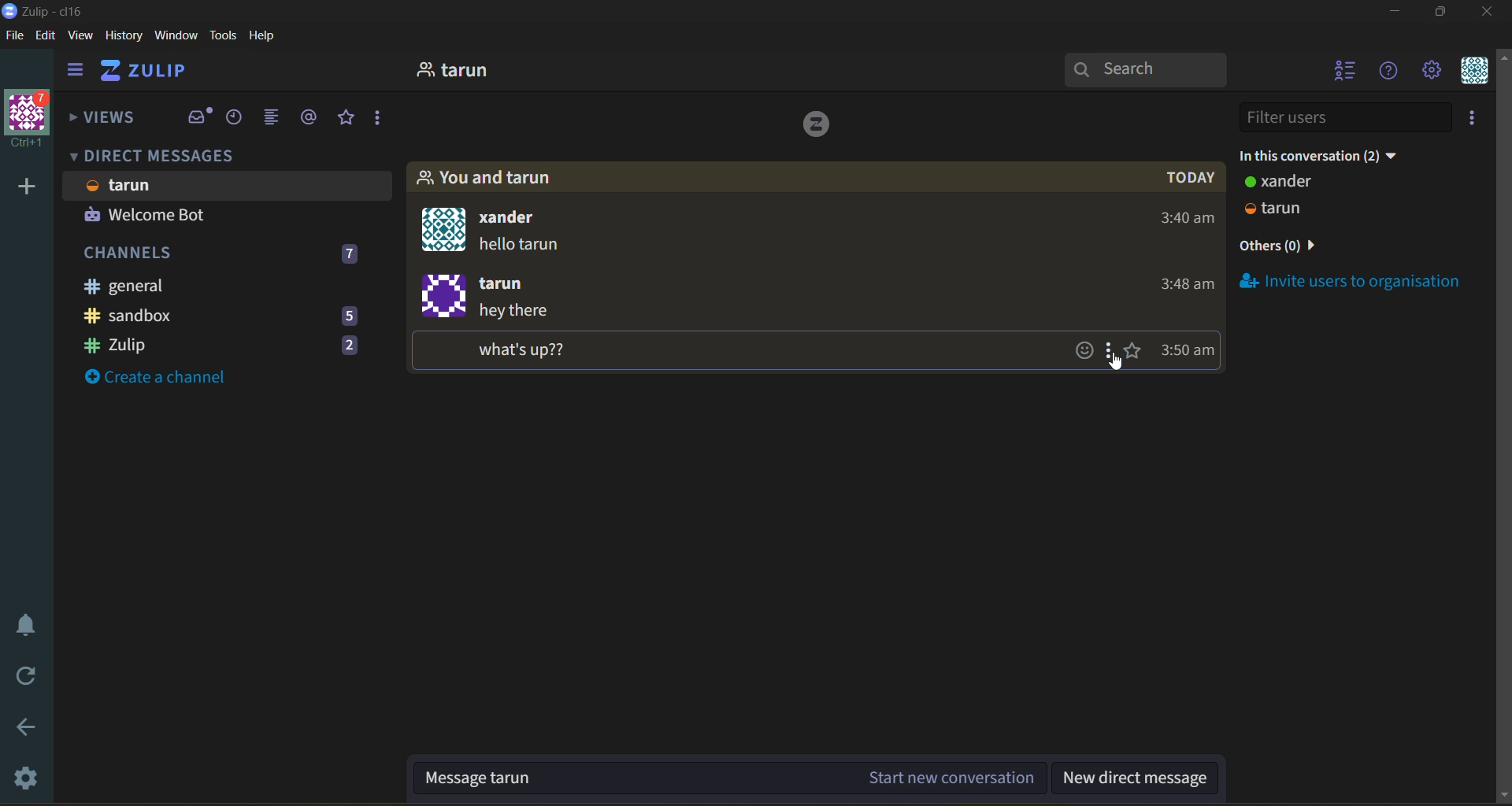  Describe the element at coordinates (1284, 247) in the screenshot. I see `others` at that location.